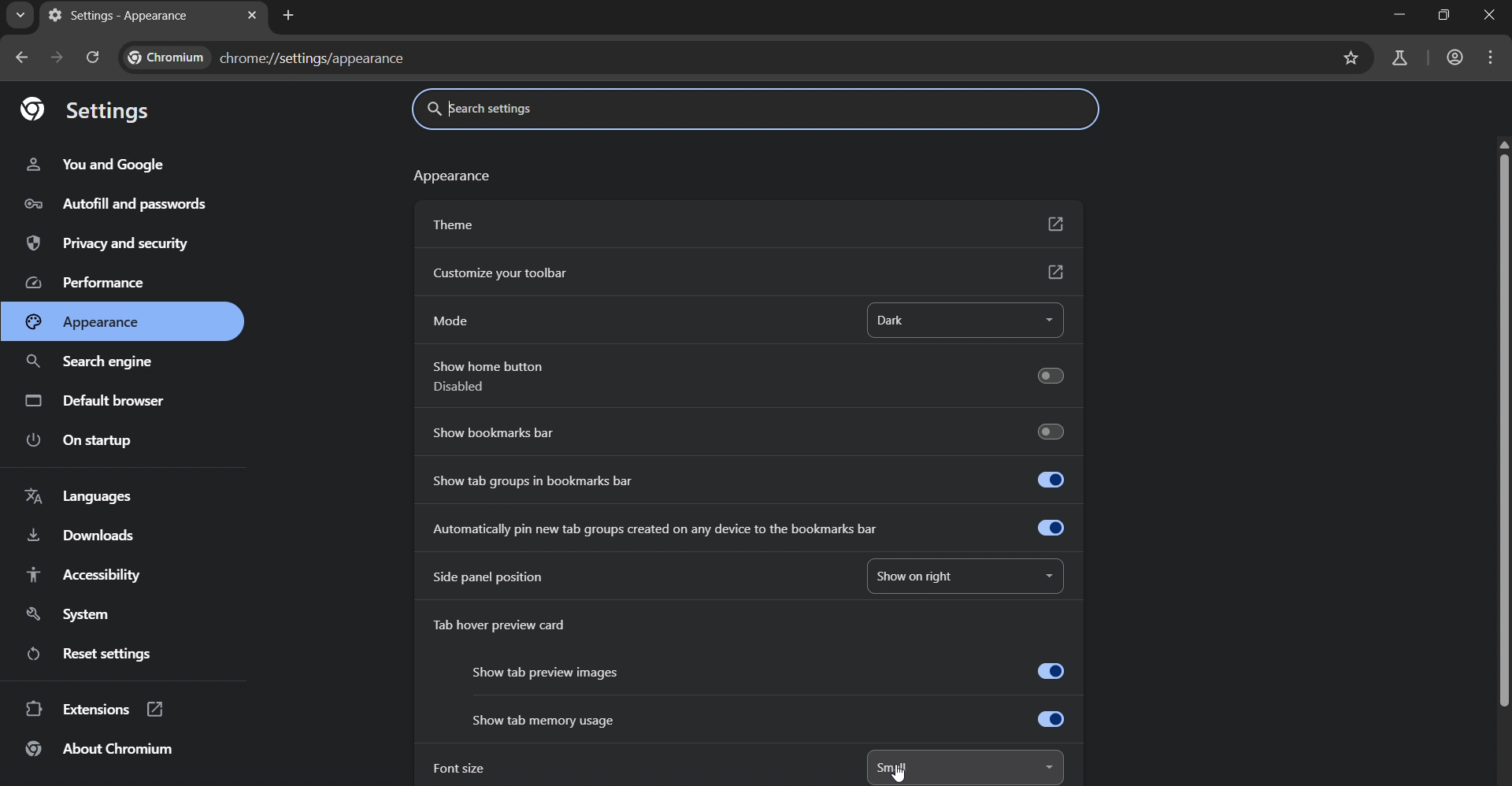 Image resolution: width=1512 pixels, height=786 pixels. I want to click on default browser, so click(98, 399).